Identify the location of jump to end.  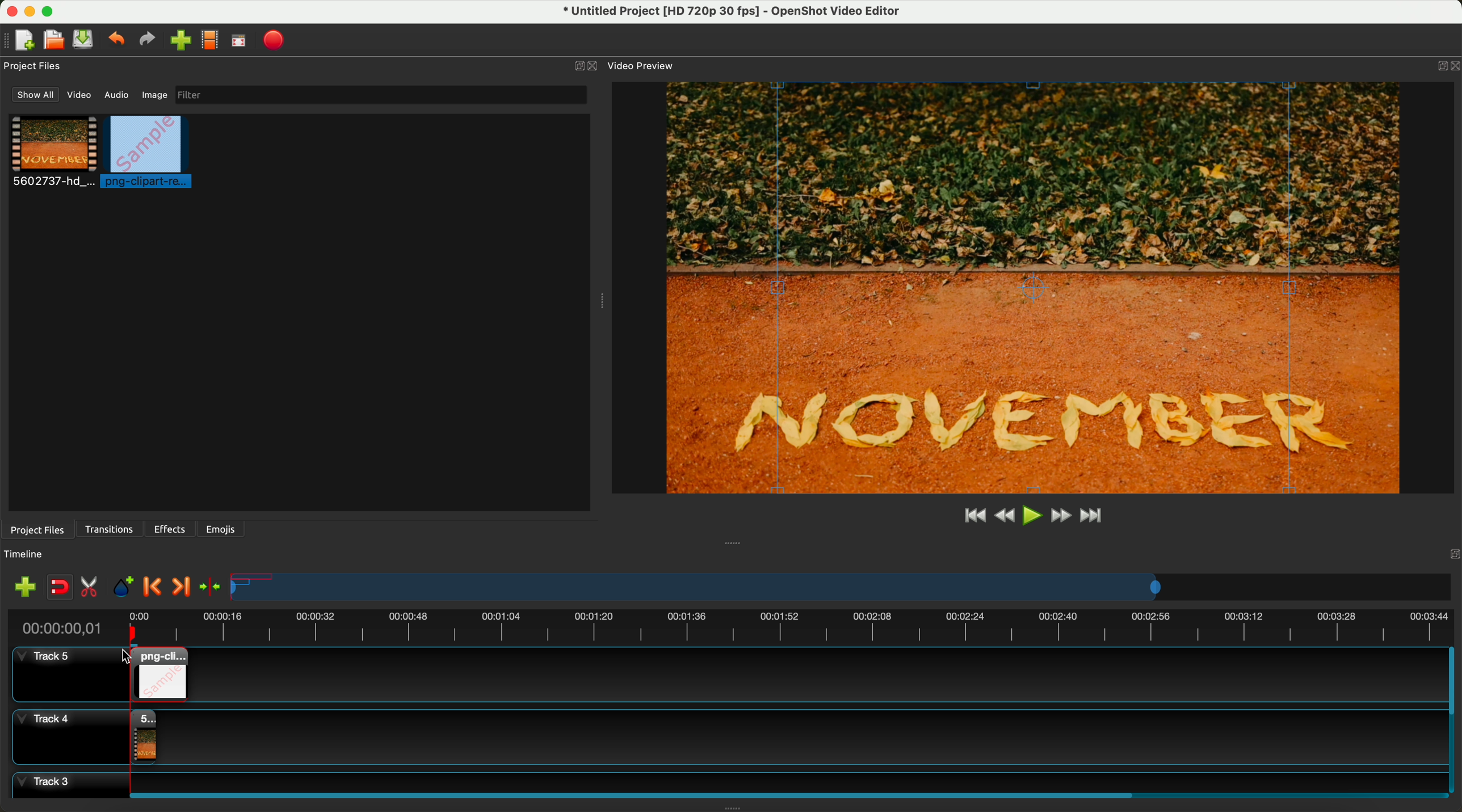
(1093, 517).